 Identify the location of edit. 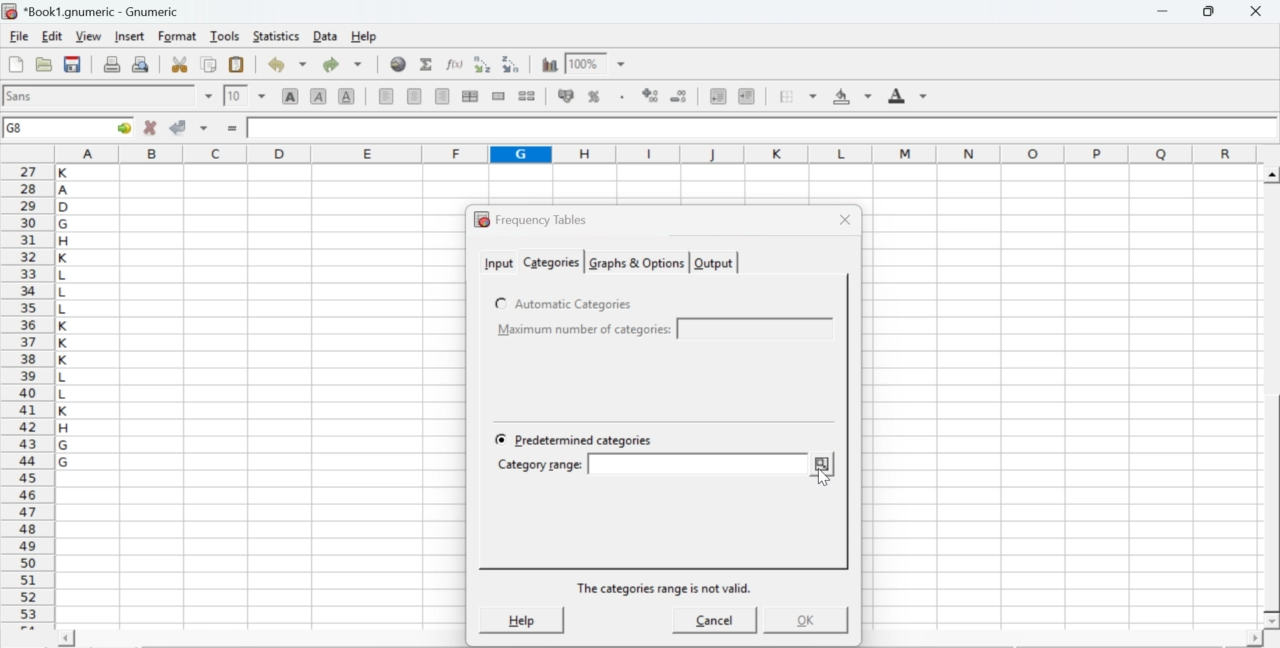
(52, 36).